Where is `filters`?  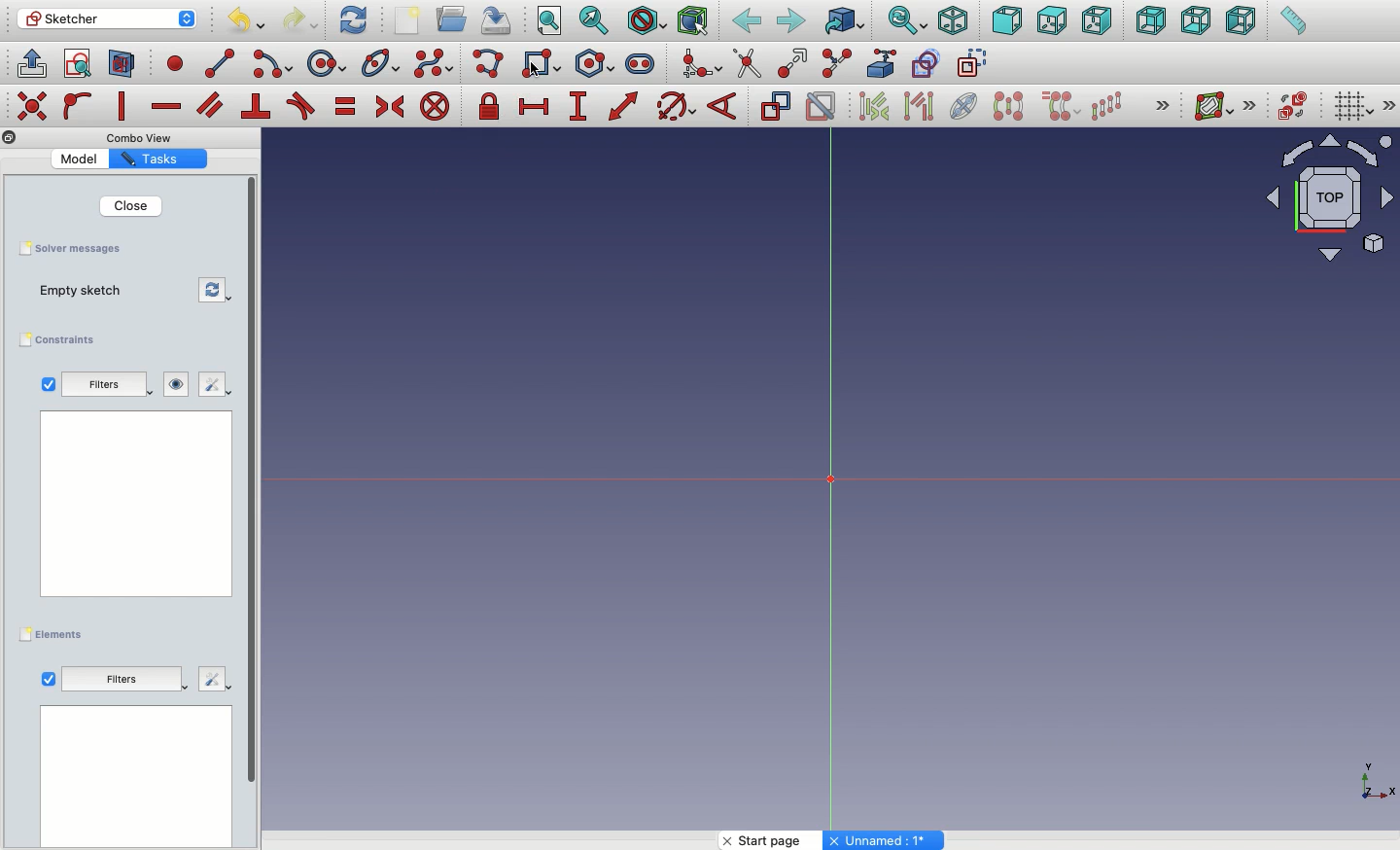 filters is located at coordinates (109, 386).